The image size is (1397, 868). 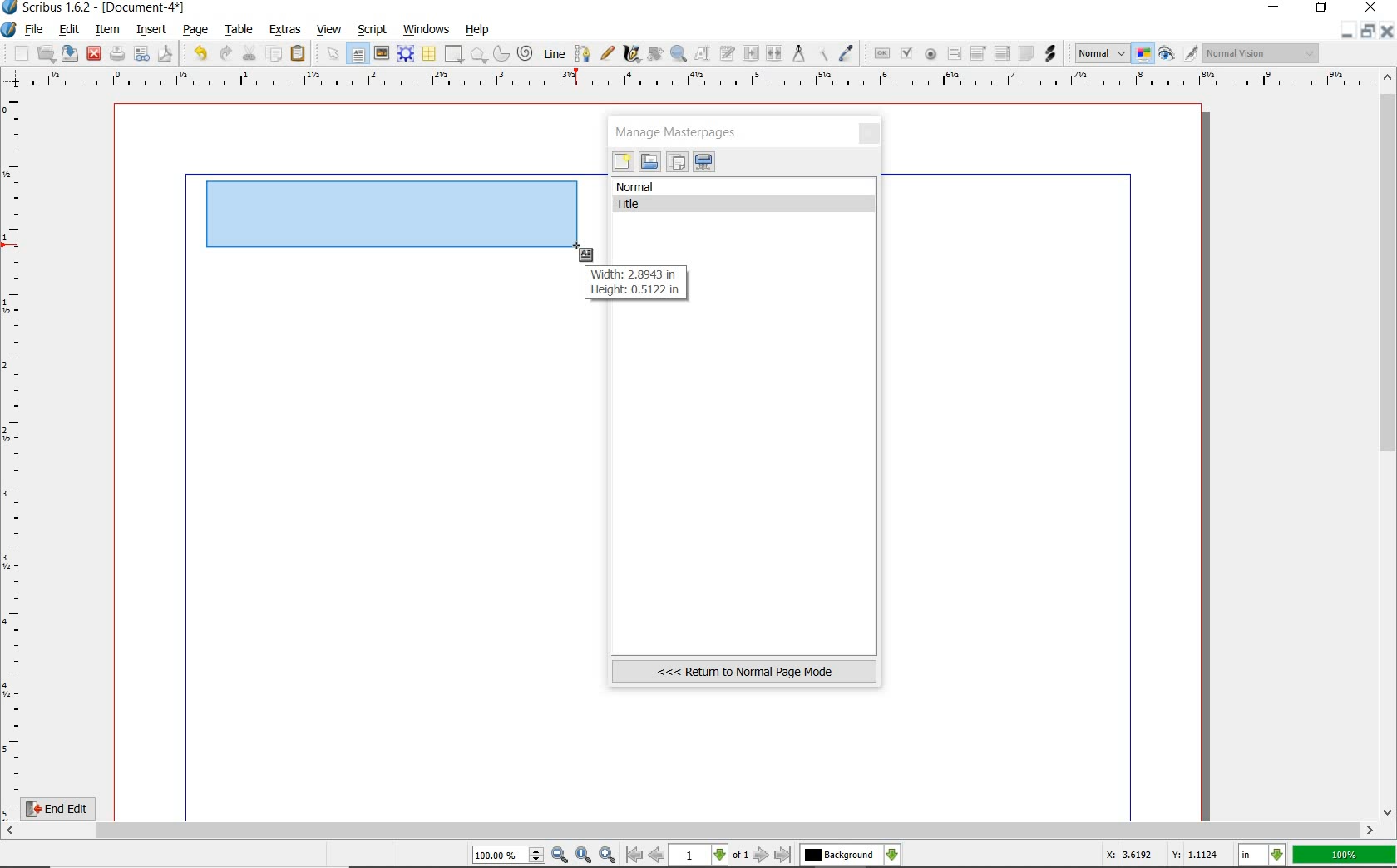 I want to click on image frame, so click(x=382, y=53).